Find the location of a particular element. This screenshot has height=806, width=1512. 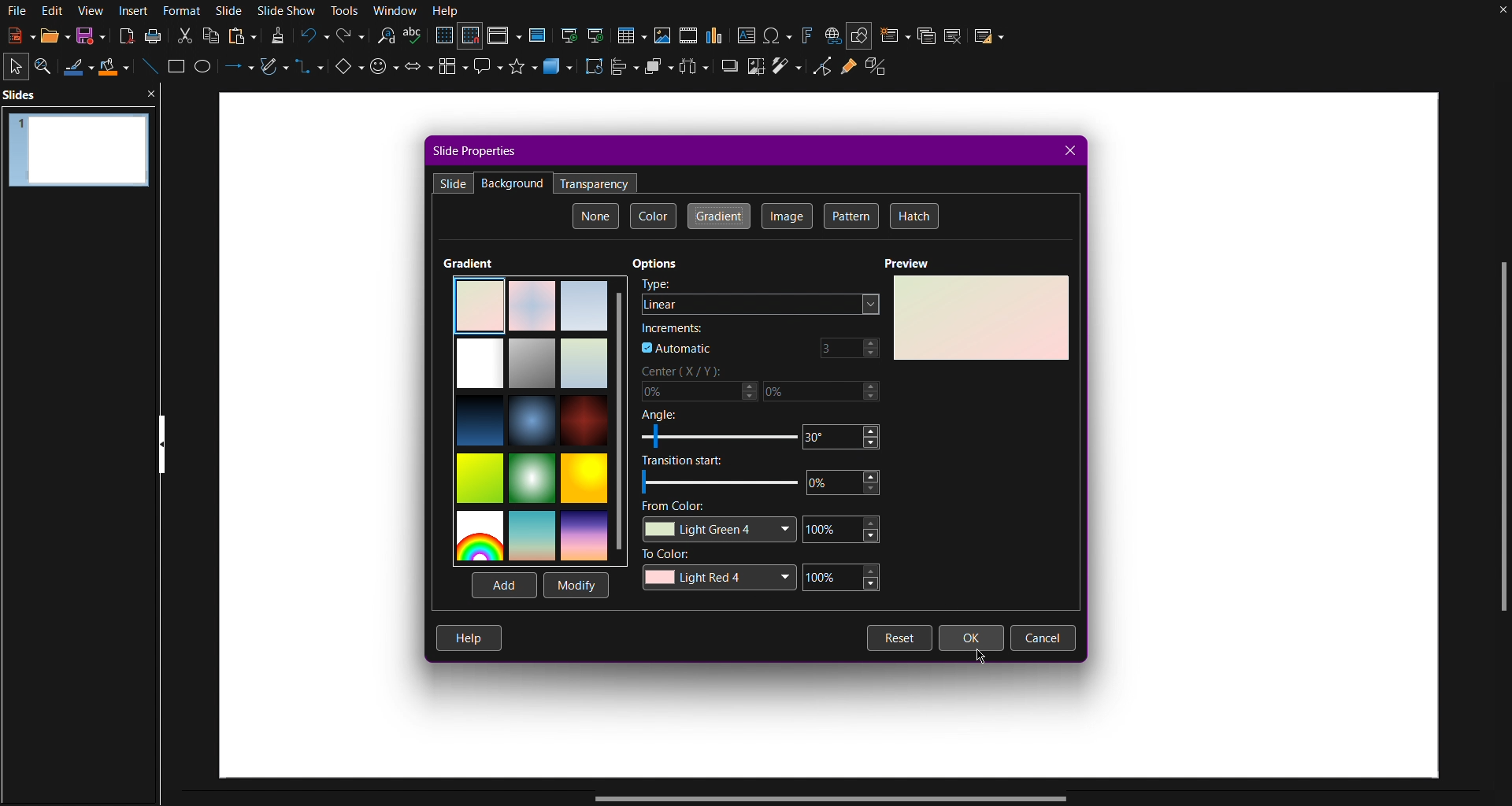

New Slide is located at coordinates (894, 34).